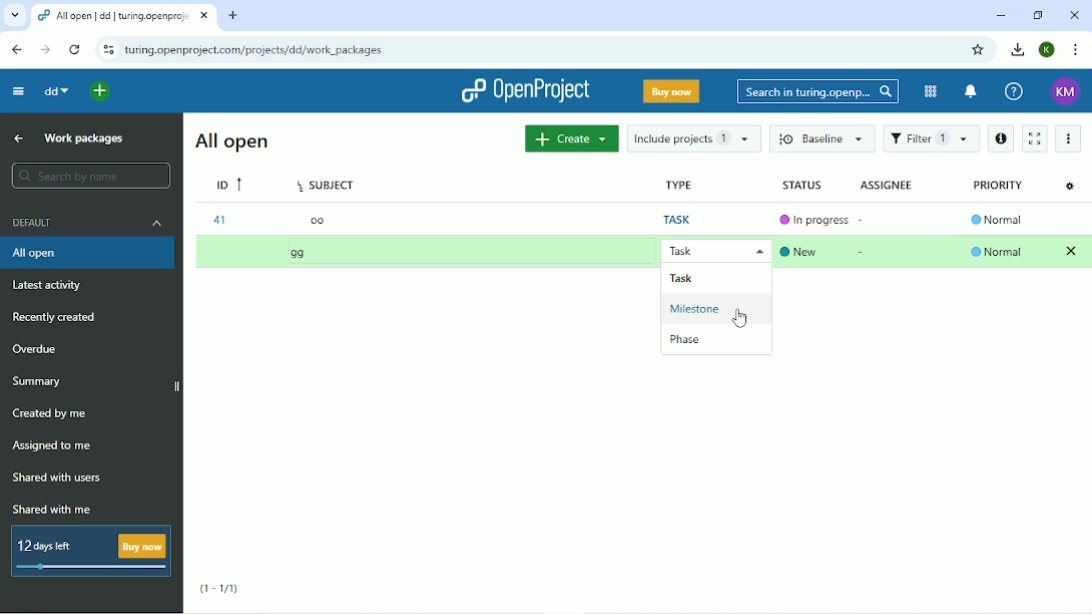 This screenshot has height=614, width=1092. What do you see at coordinates (17, 50) in the screenshot?
I see `Back` at bounding box center [17, 50].